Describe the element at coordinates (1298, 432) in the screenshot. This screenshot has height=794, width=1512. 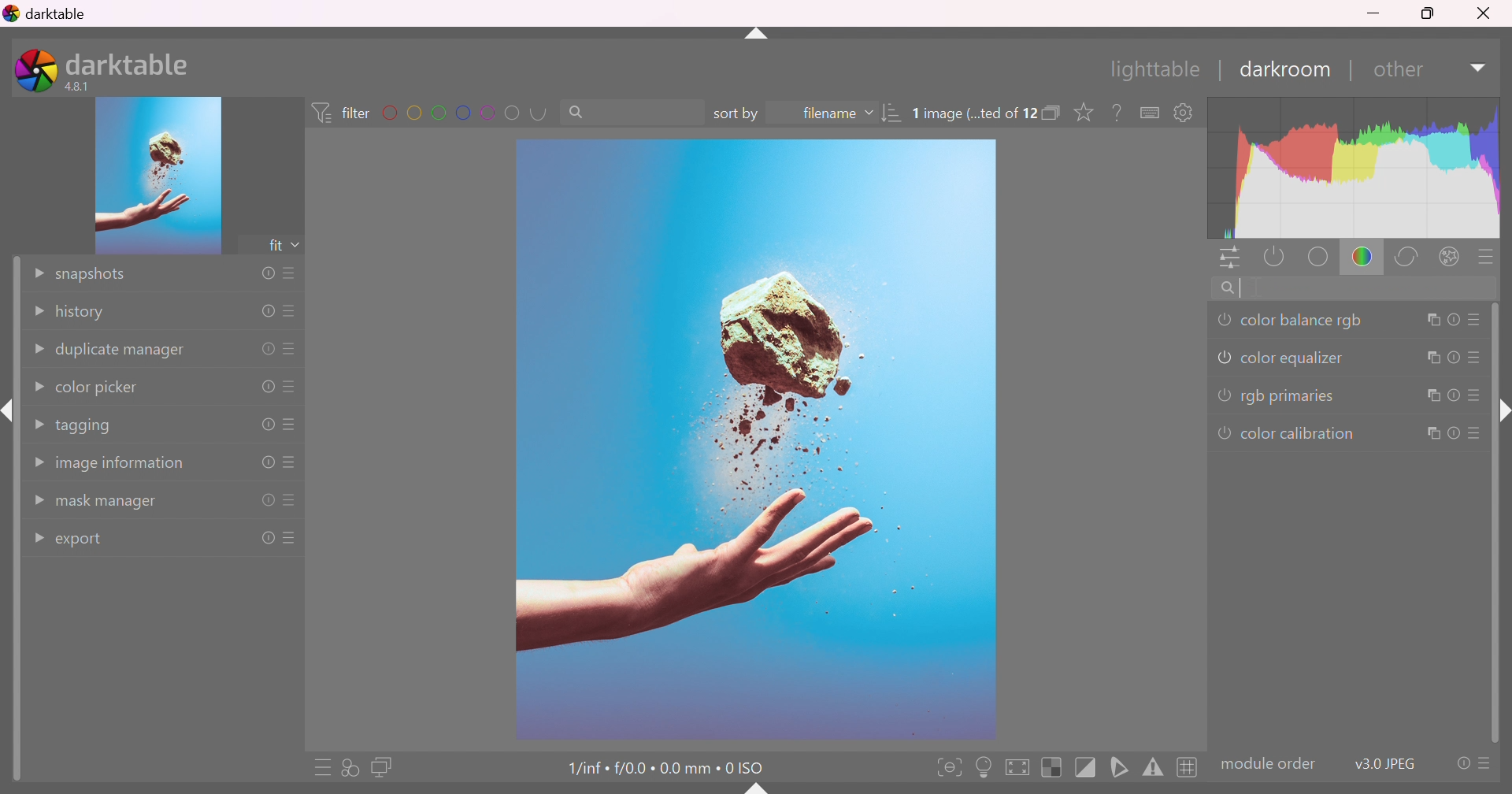
I see `color caliberation` at that location.